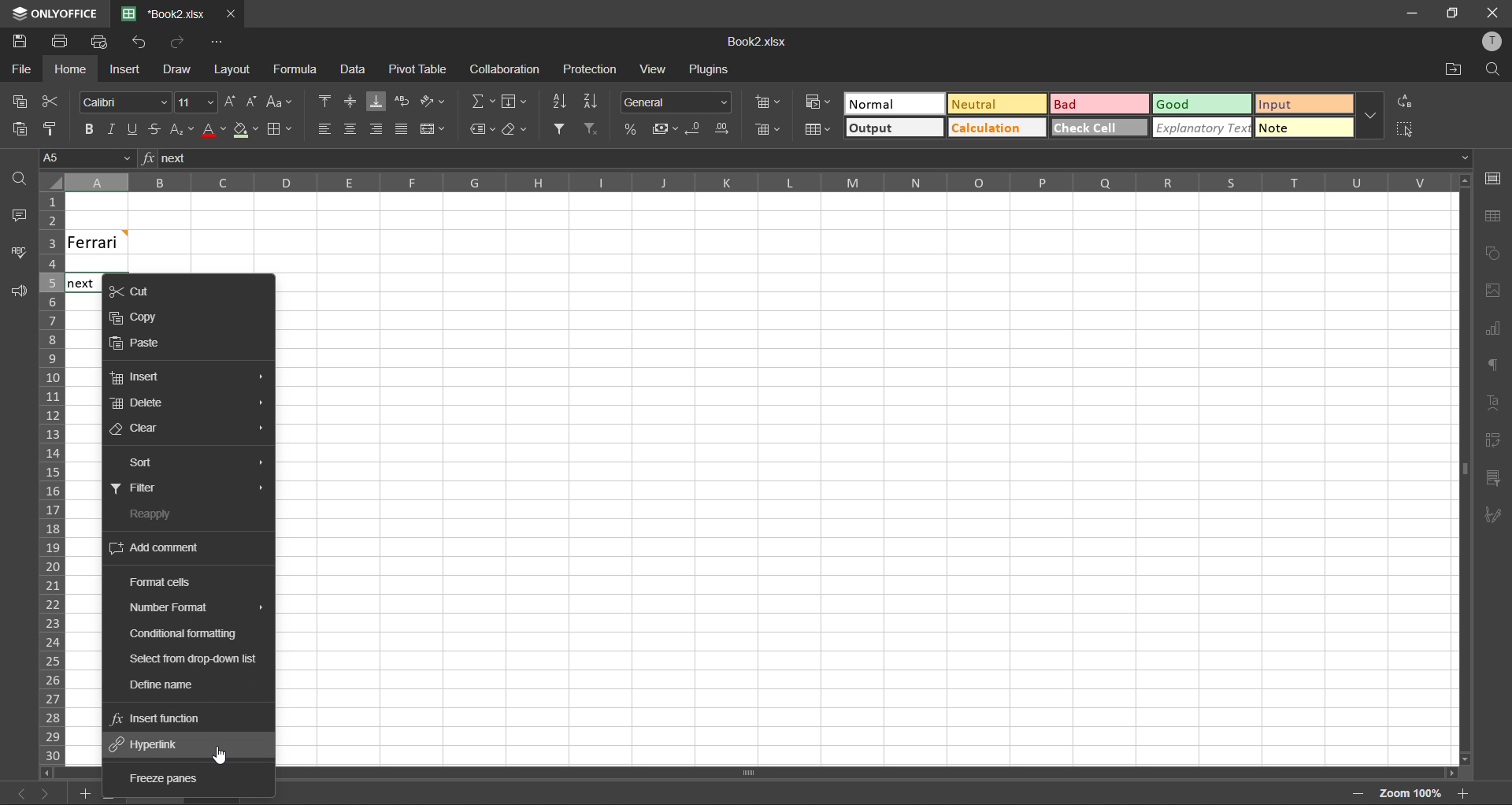 The height and width of the screenshot is (805, 1512). What do you see at coordinates (1493, 293) in the screenshot?
I see `image` at bounding box center [1493, 293].